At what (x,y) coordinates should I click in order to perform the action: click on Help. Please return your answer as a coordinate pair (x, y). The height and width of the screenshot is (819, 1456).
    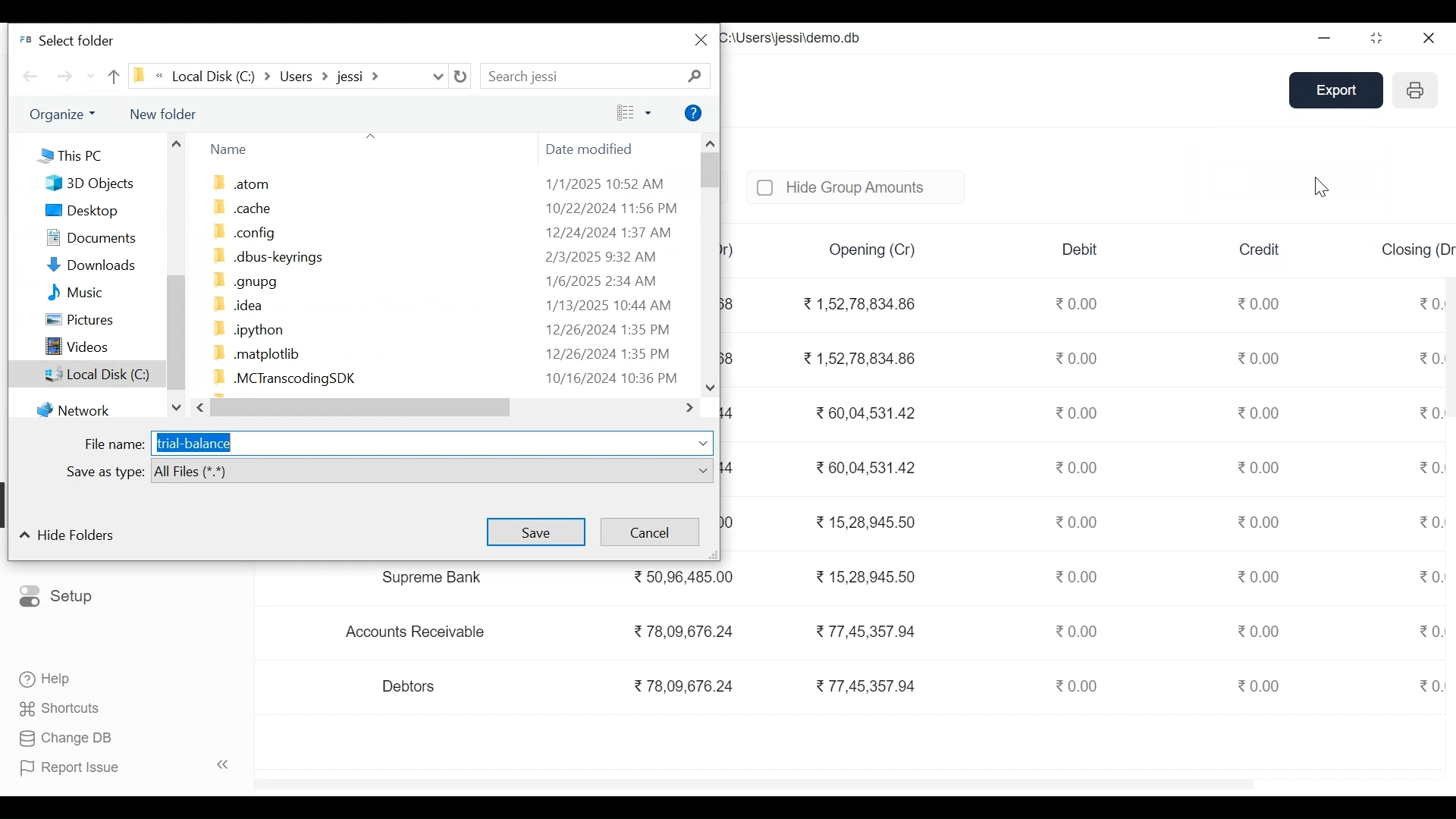
    Looking at the image, I should click on (42, 677).